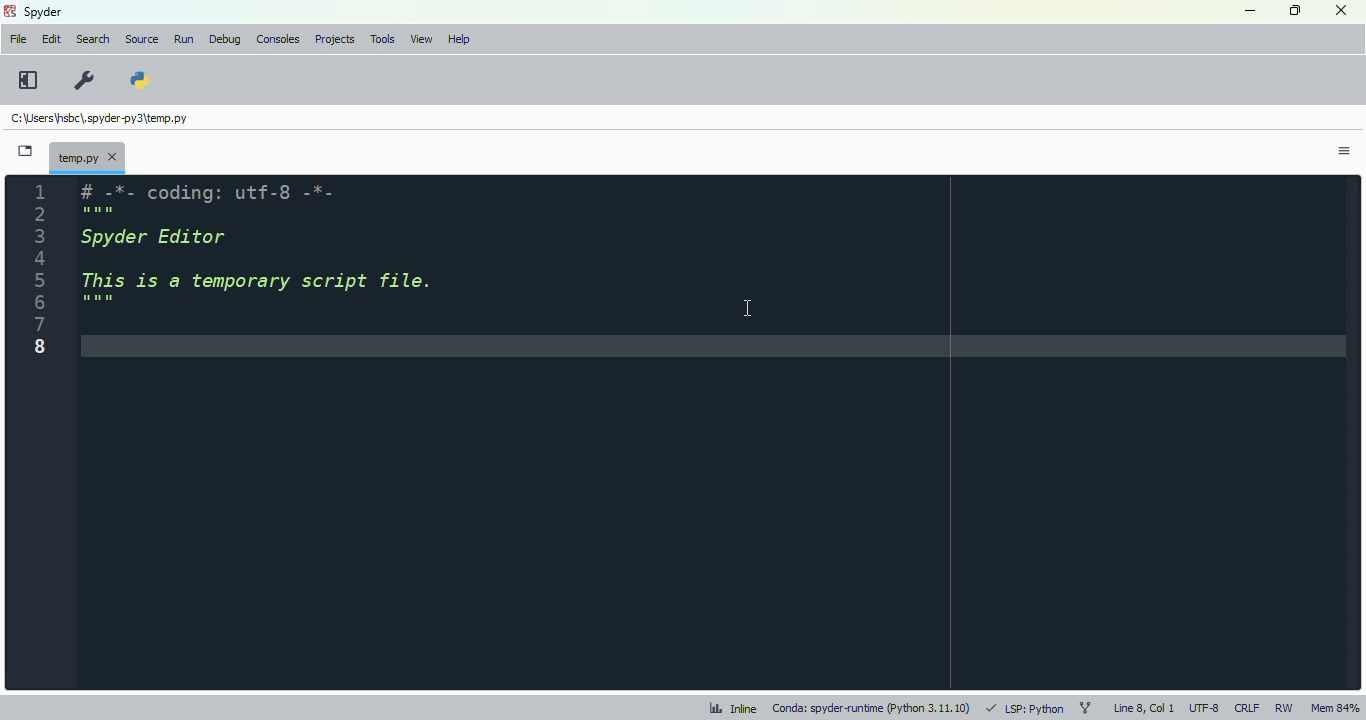  Describe the element at coordinates (458, 40) in the screenshot. I see `help` at that location.